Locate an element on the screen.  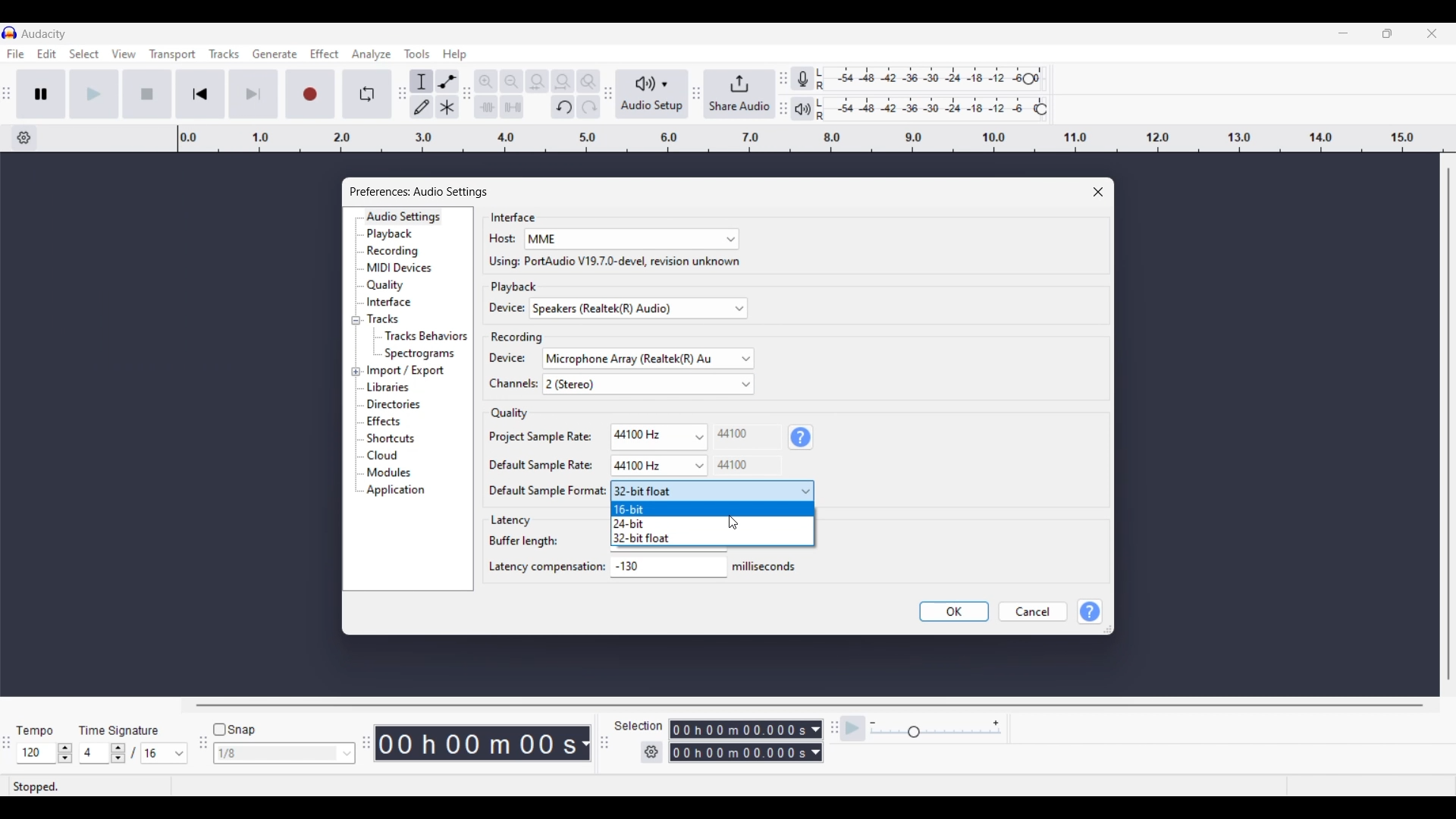
Increase playback speed to maximum  is located at coordinates (996, 723).